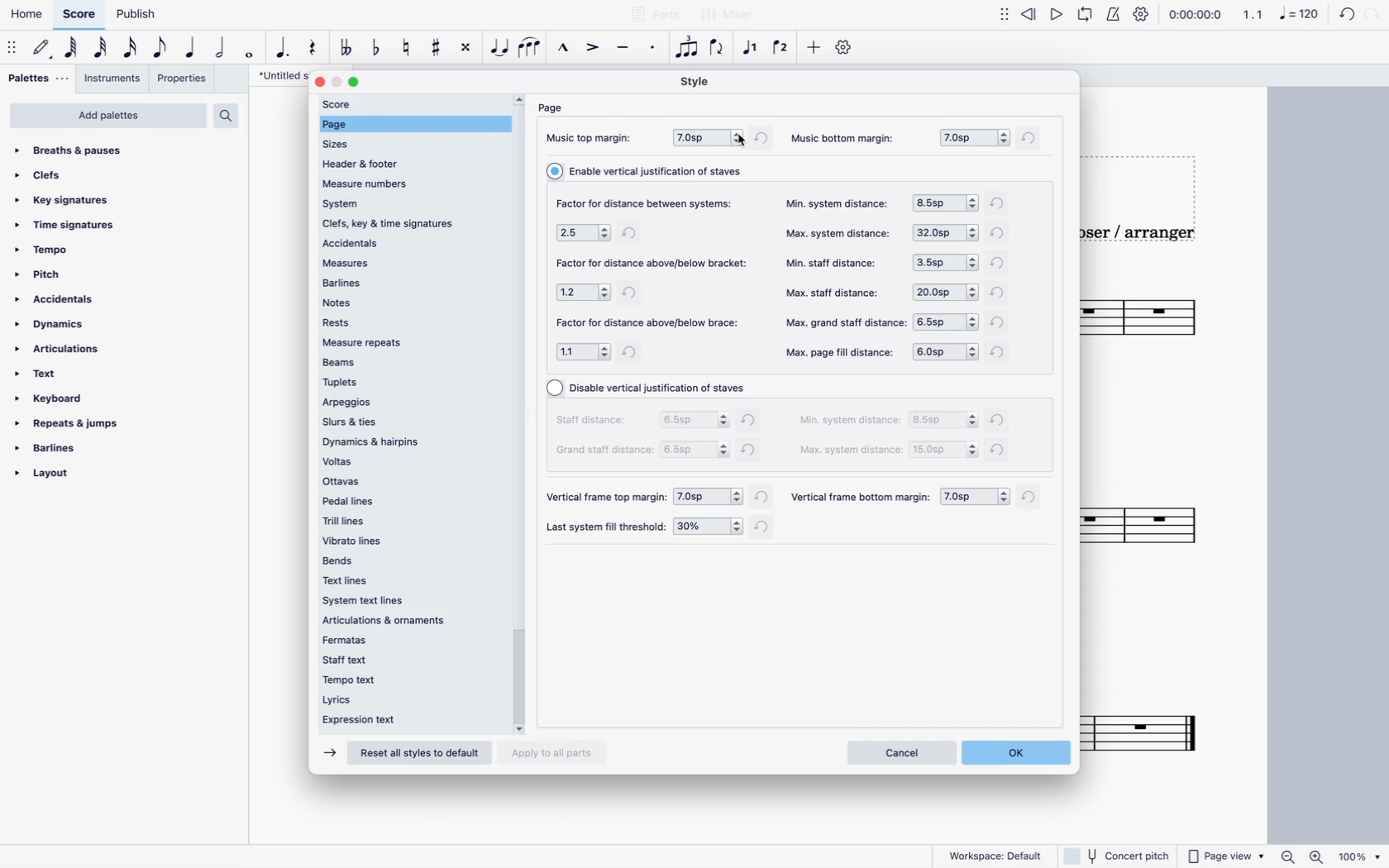 This screenshot has width=1389, height=868. Describe the element at coordinates (60, 350) in the screenshot. I see `articulations` at that location.